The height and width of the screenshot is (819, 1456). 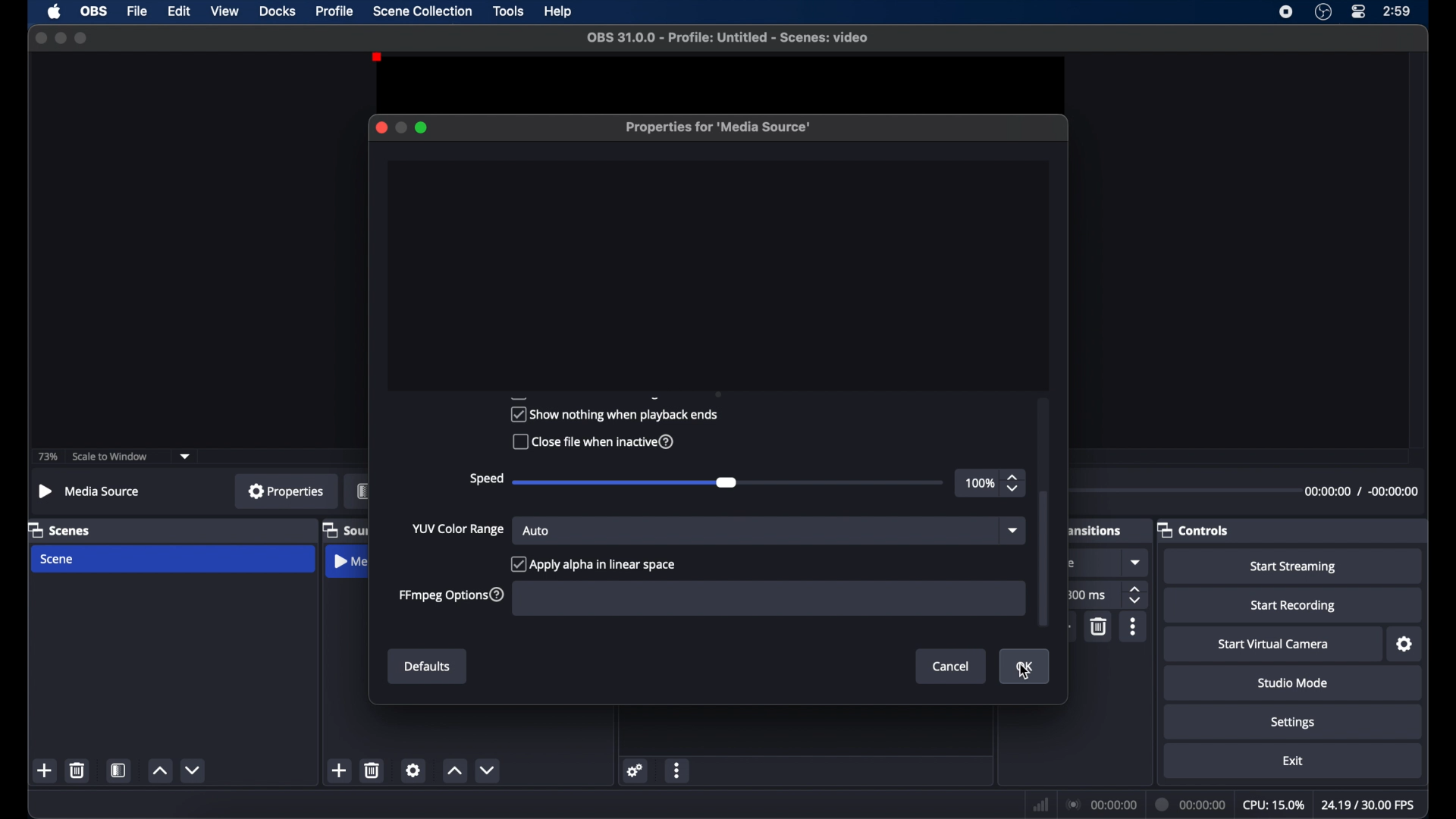 I want to click on close, so click(x=40, y=38).